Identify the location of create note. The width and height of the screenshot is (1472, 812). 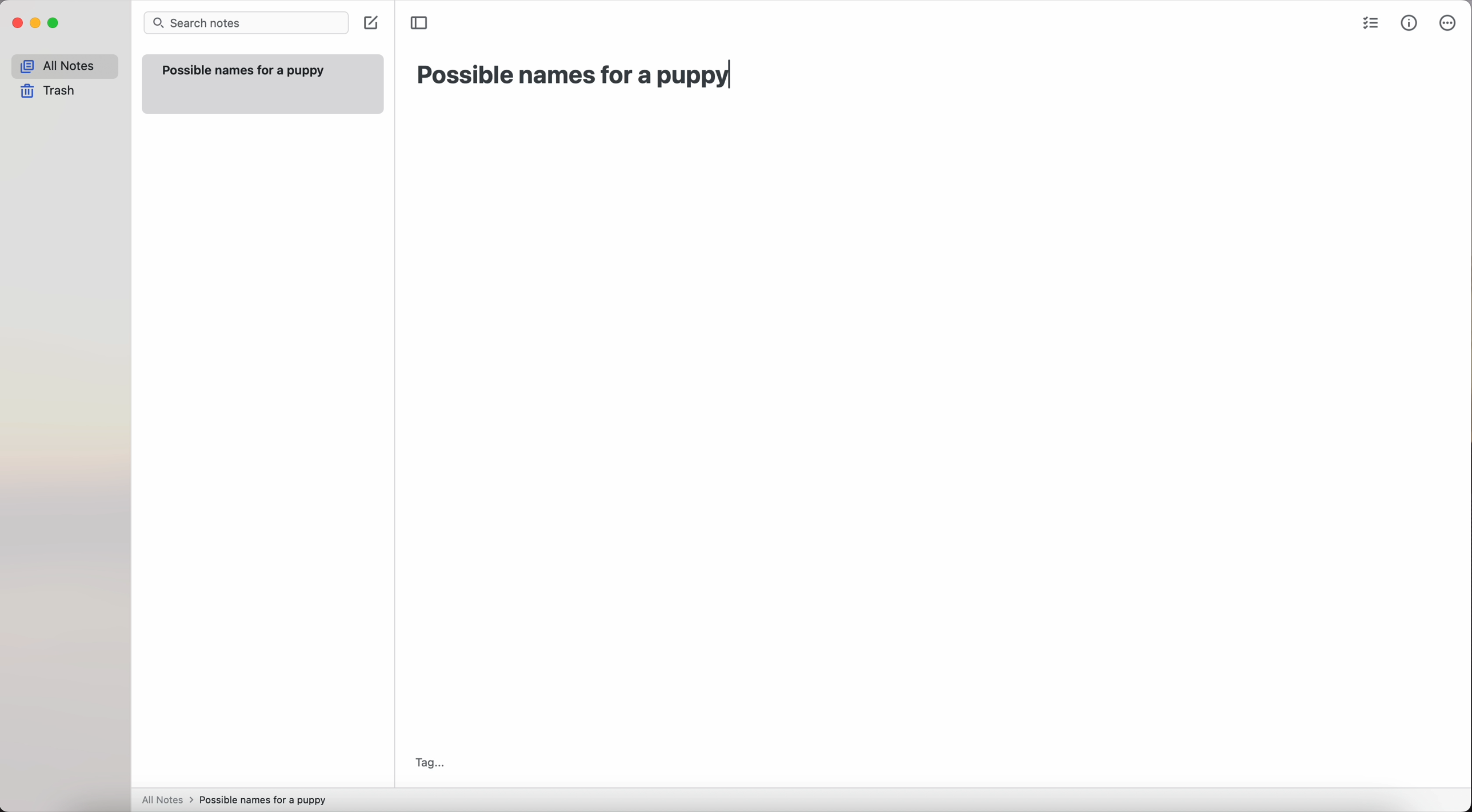
(370, 24).